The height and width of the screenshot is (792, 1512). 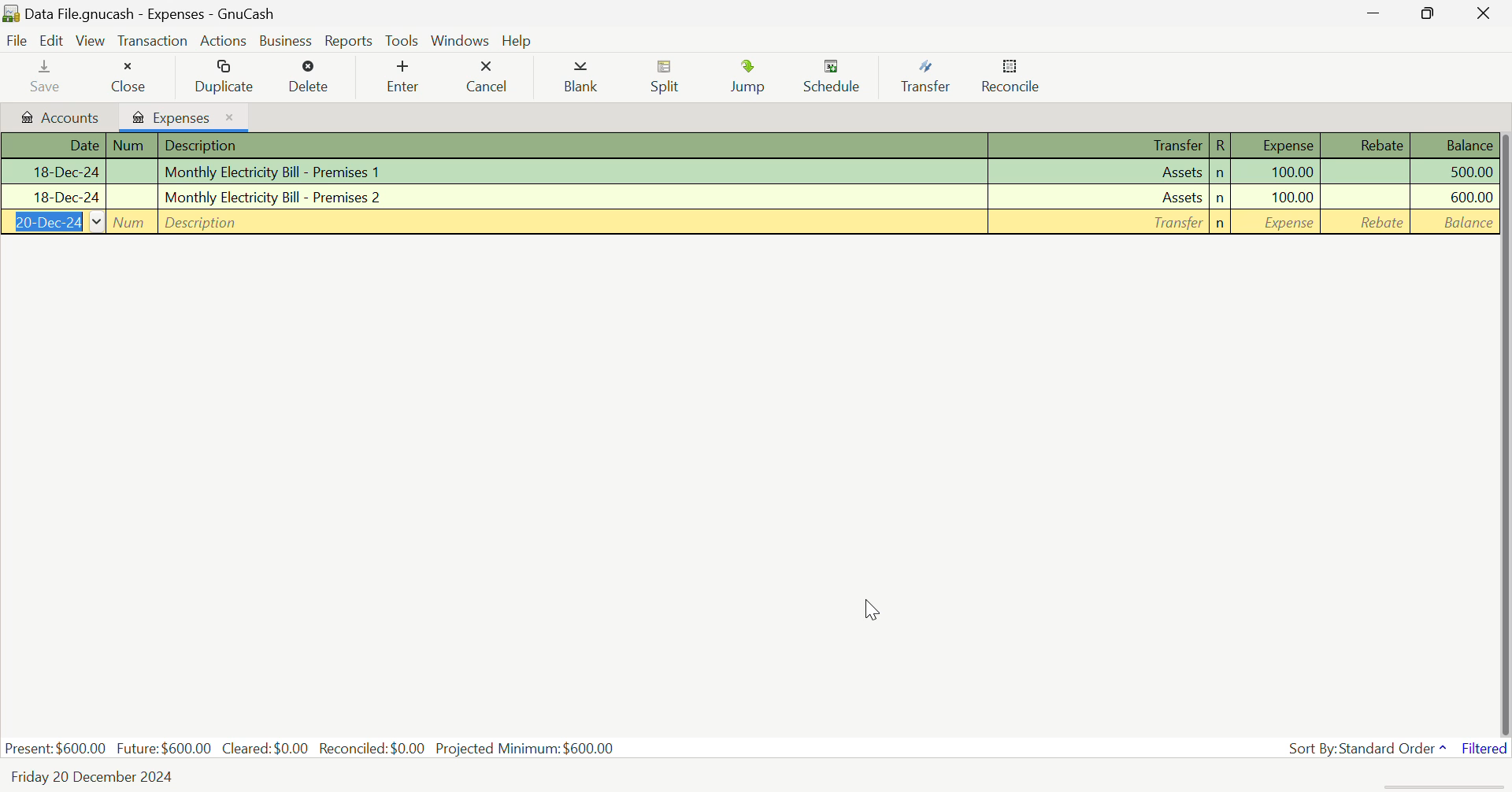 I want to click on Future, so click(x=164, y=748).